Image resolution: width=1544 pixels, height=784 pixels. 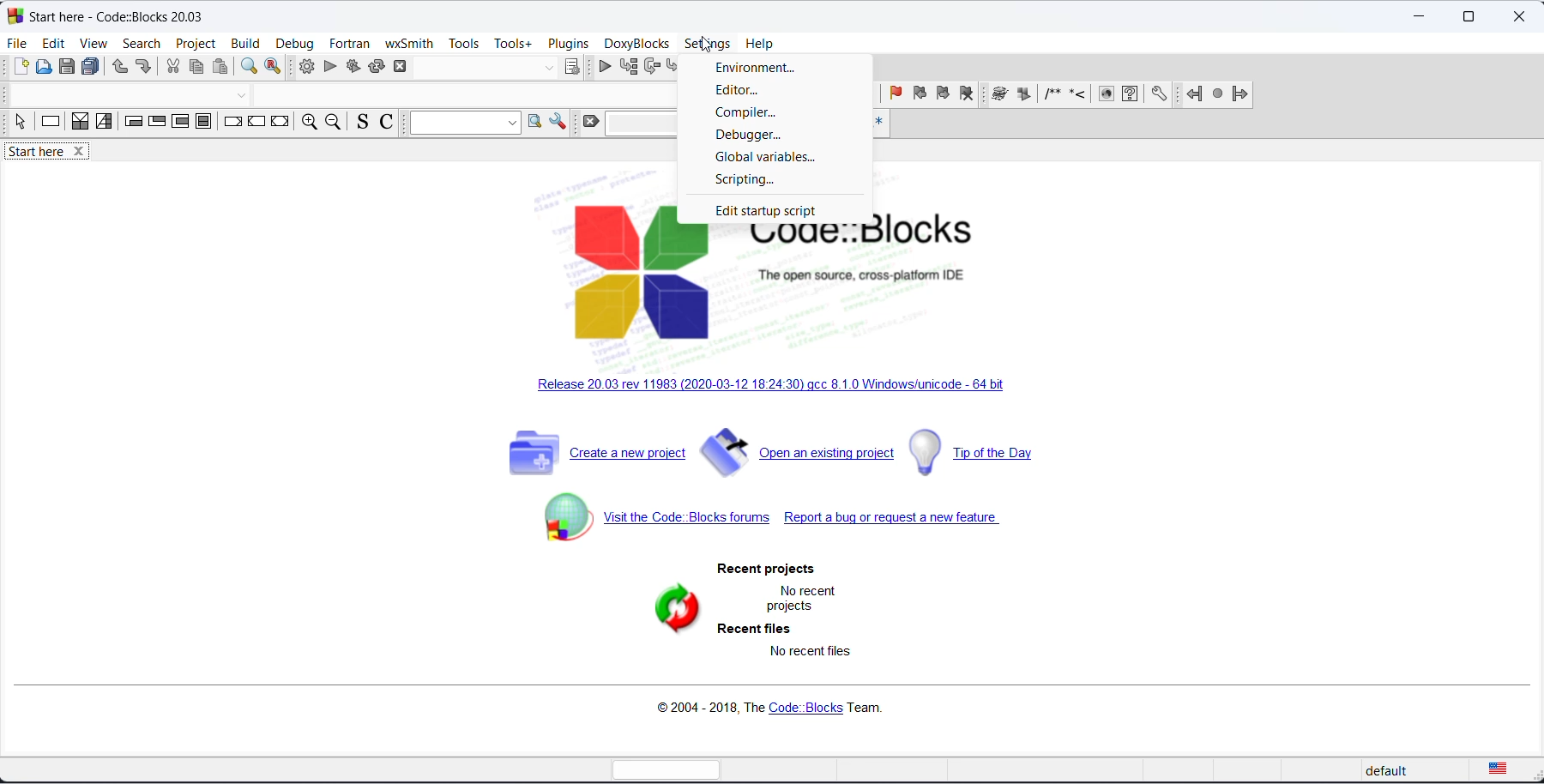 What do you see at coordinates (19, 44) in the screenshot?
I see `file` at bounding box center [19, 44].